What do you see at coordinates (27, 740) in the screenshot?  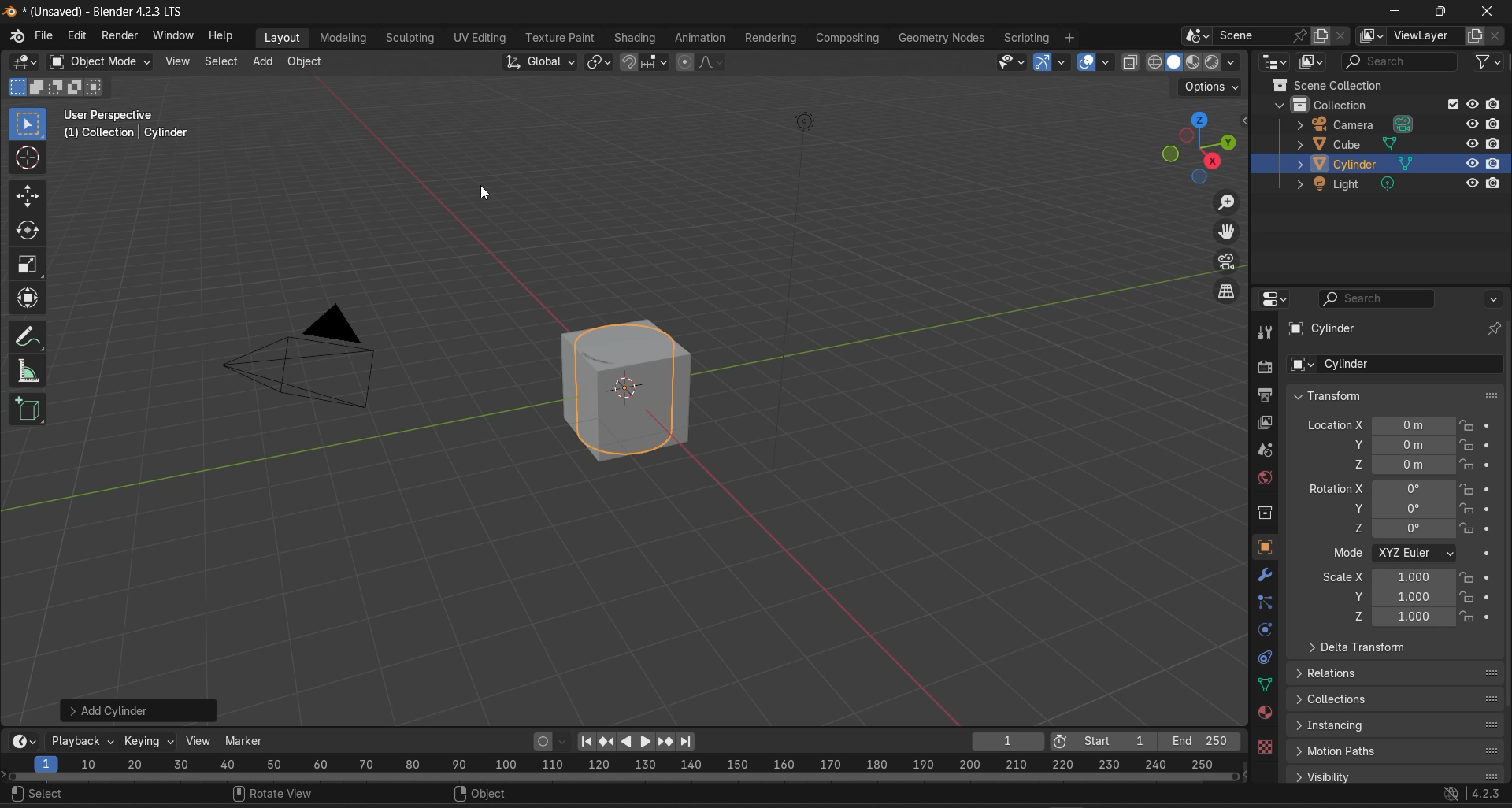 I see `editor type` at bounding box center [27, 740].